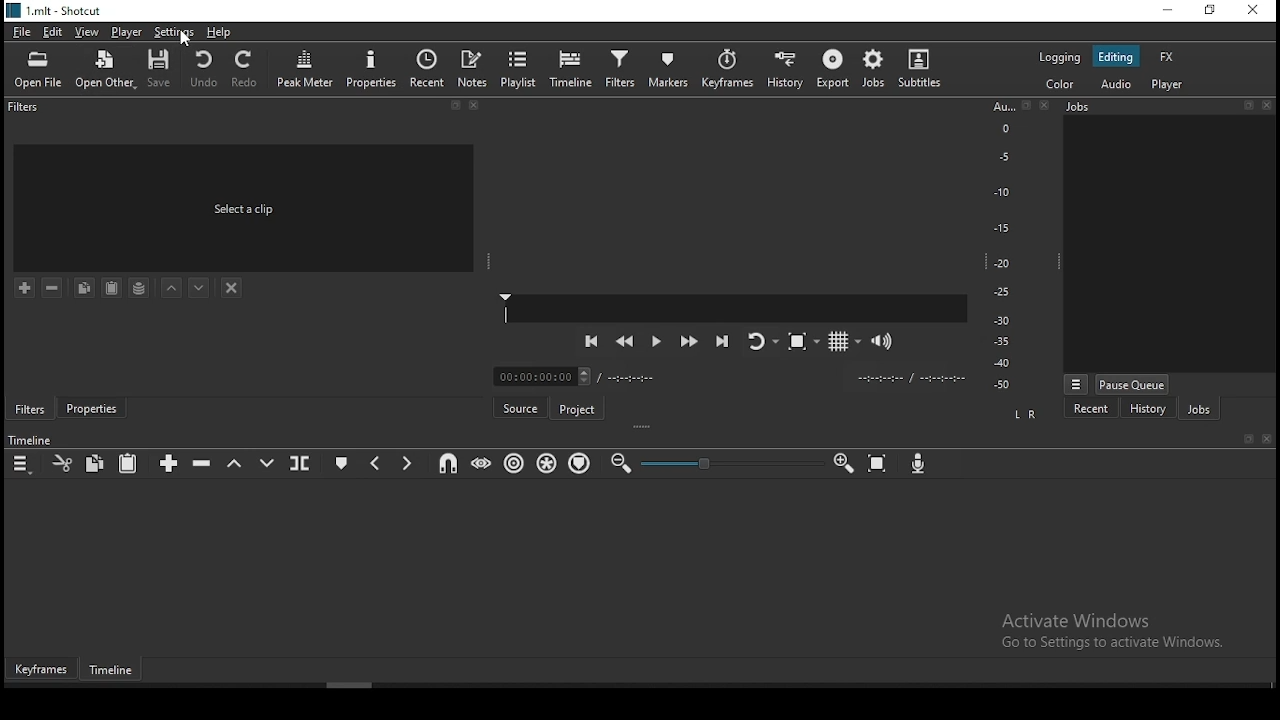 The height and width of the screenshot is (720, 1280). Describe the element at coordinates (29, 408) in the screenshot. I see `filters` at that location.